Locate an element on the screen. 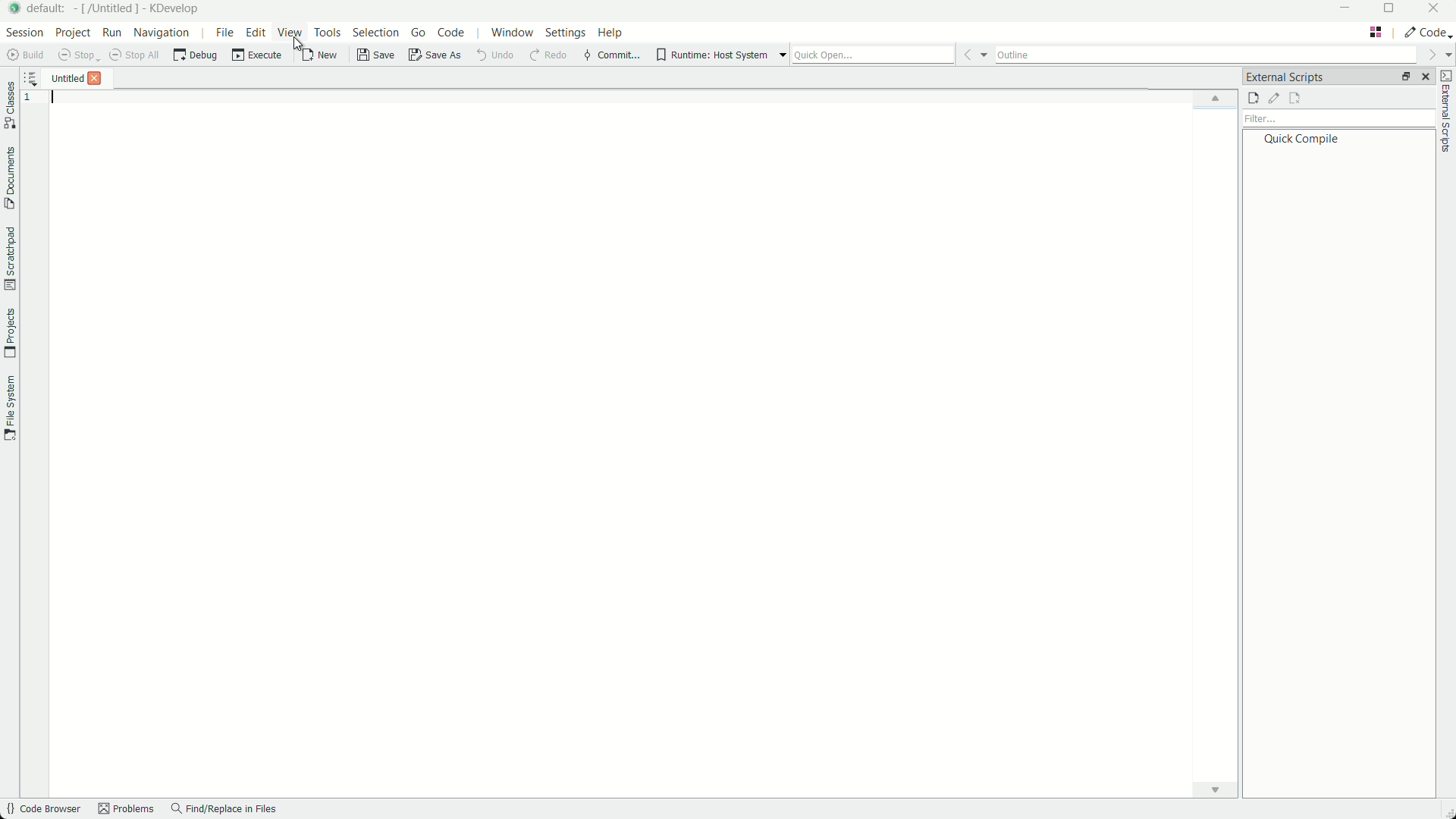  file system is located at coordinates (12, 408).